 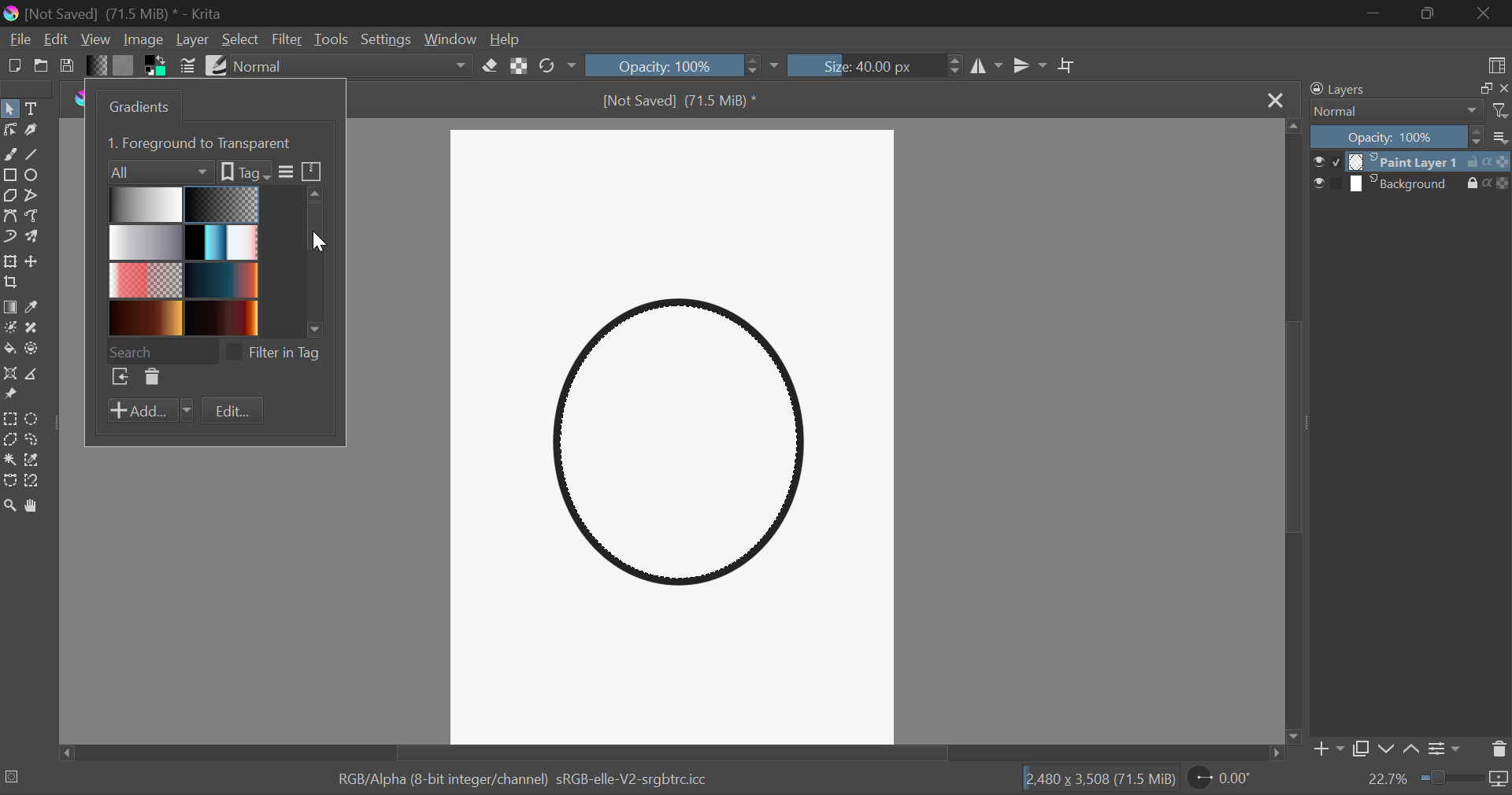 What do you see at coordinates (1387, 751) in the screenshot?
I see `Move layer down` at bounding box center [1387, 751].